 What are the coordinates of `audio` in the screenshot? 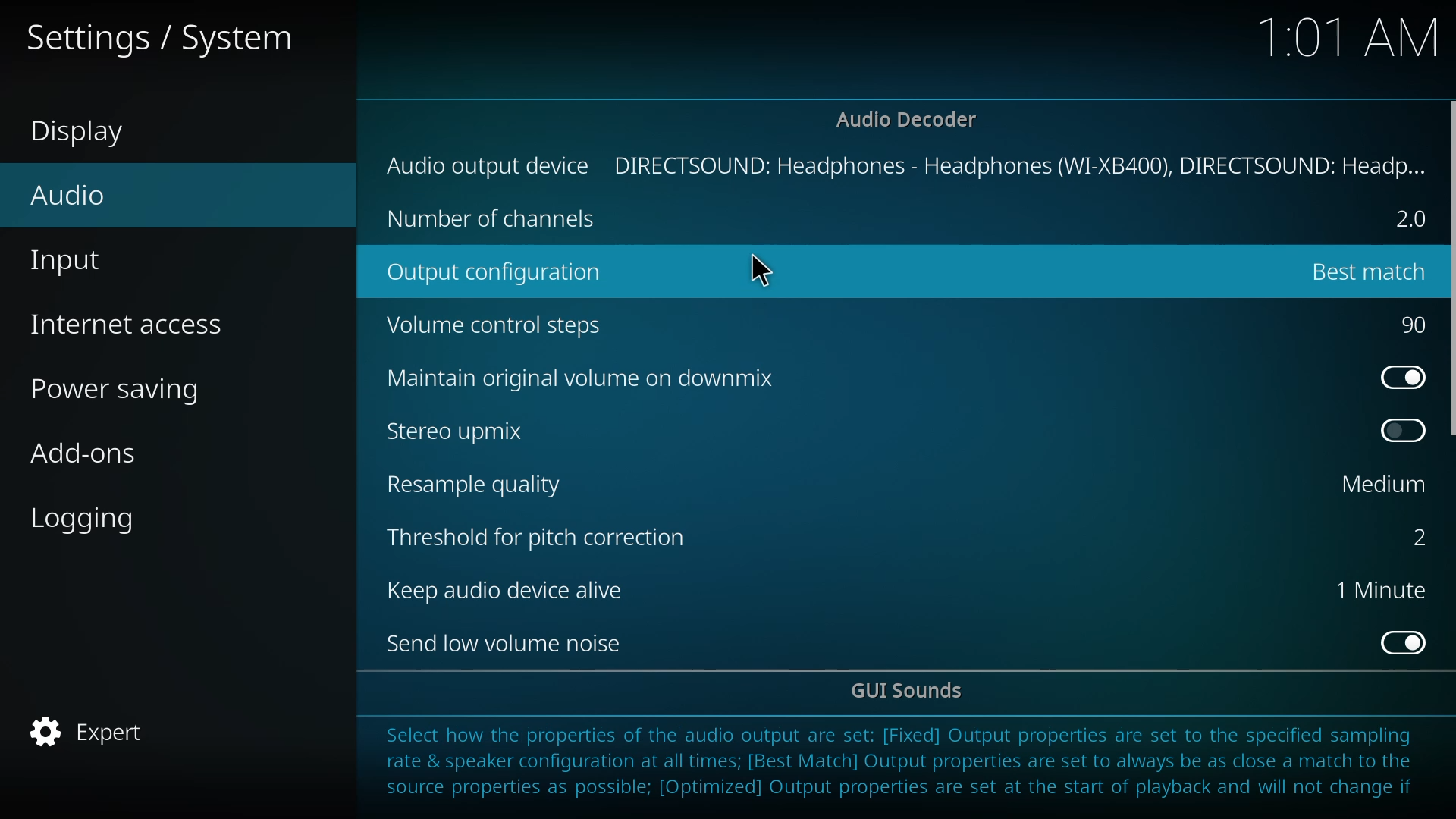 It's located at (184, 191).